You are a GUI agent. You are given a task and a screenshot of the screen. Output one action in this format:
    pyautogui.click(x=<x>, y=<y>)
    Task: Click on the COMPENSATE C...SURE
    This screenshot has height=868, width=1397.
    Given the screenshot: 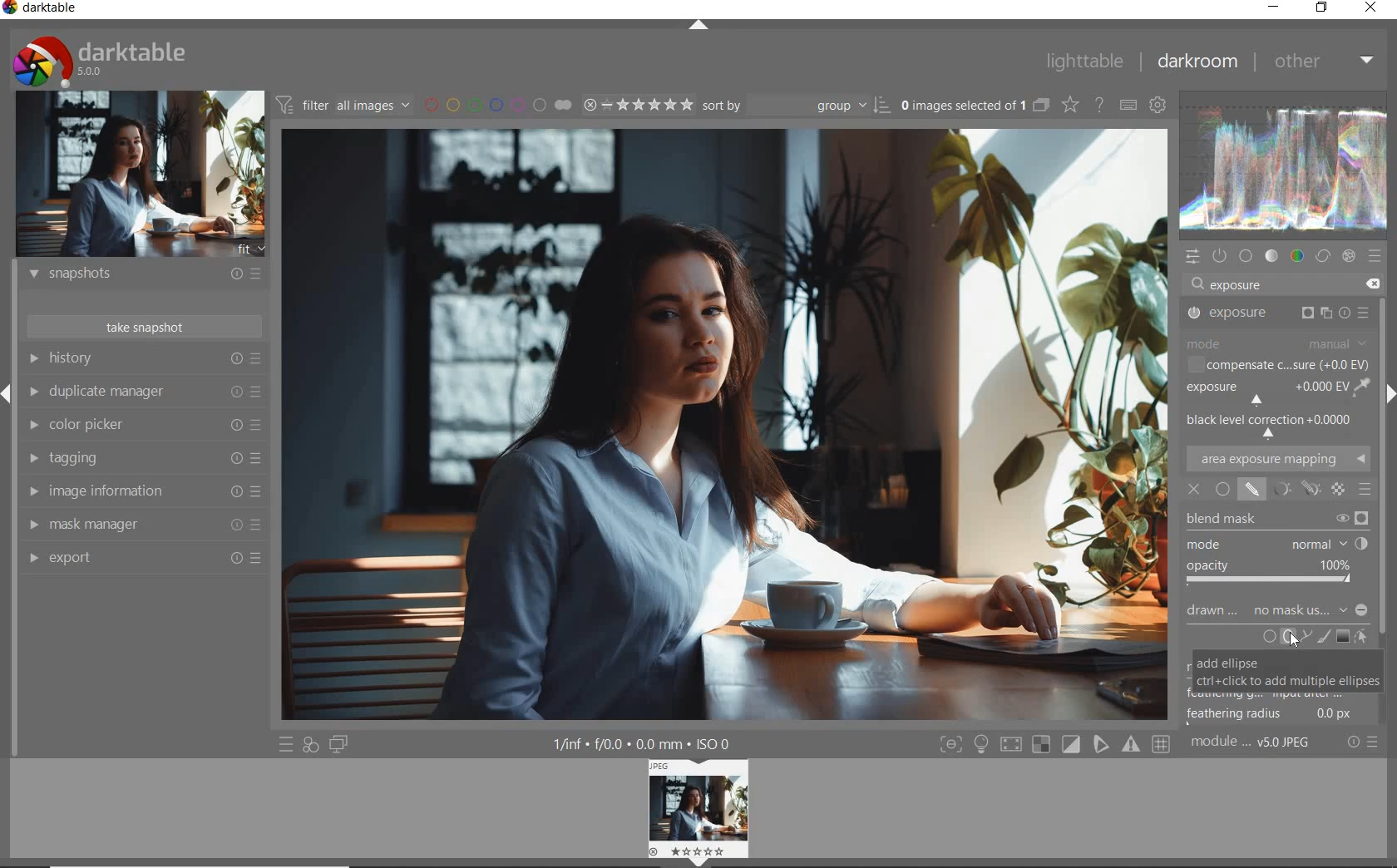 What is the action you would take?
    pyautogui.click(x=1279, y=365)
    